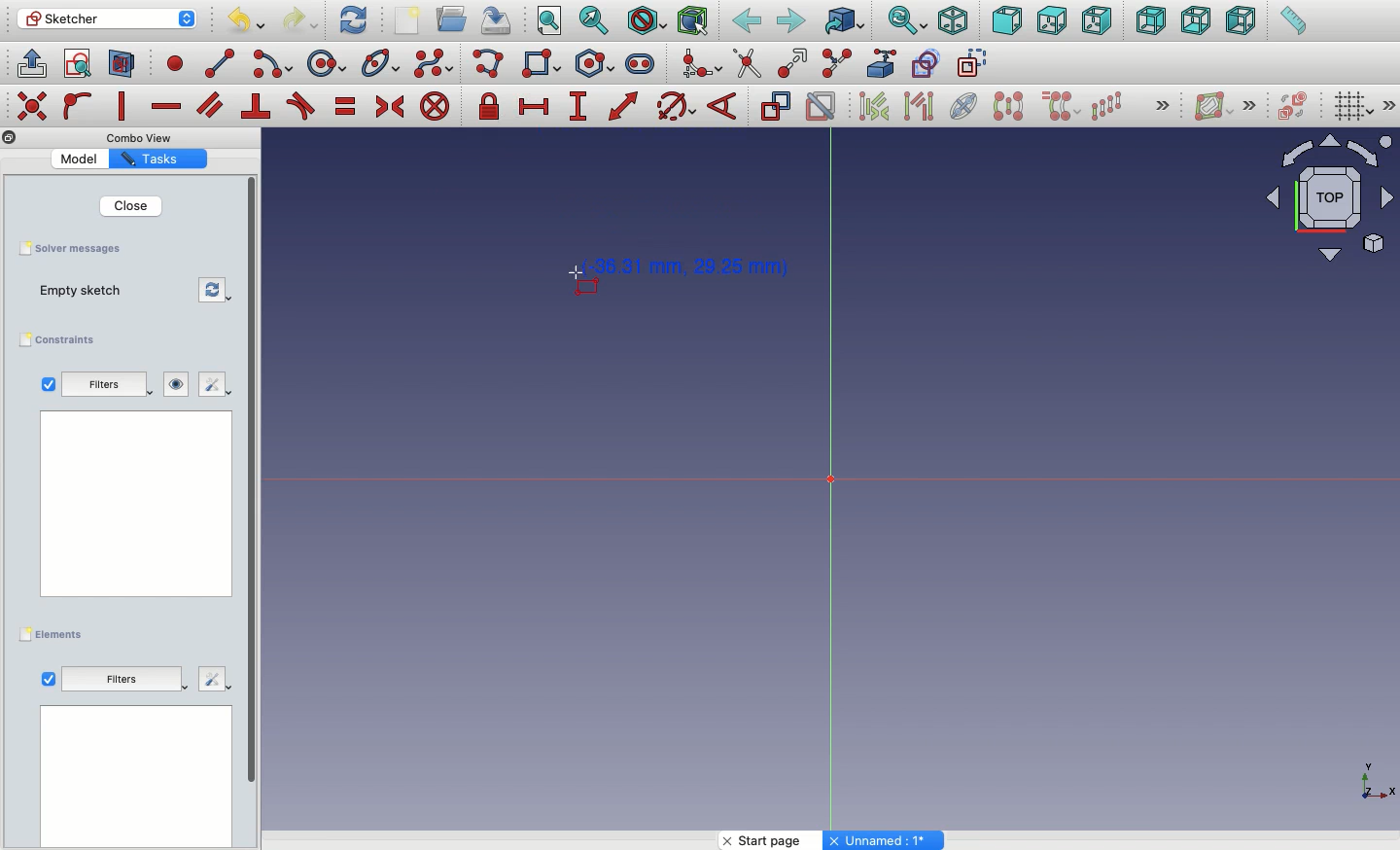  I want to click on External geometry, so click(880, 63).